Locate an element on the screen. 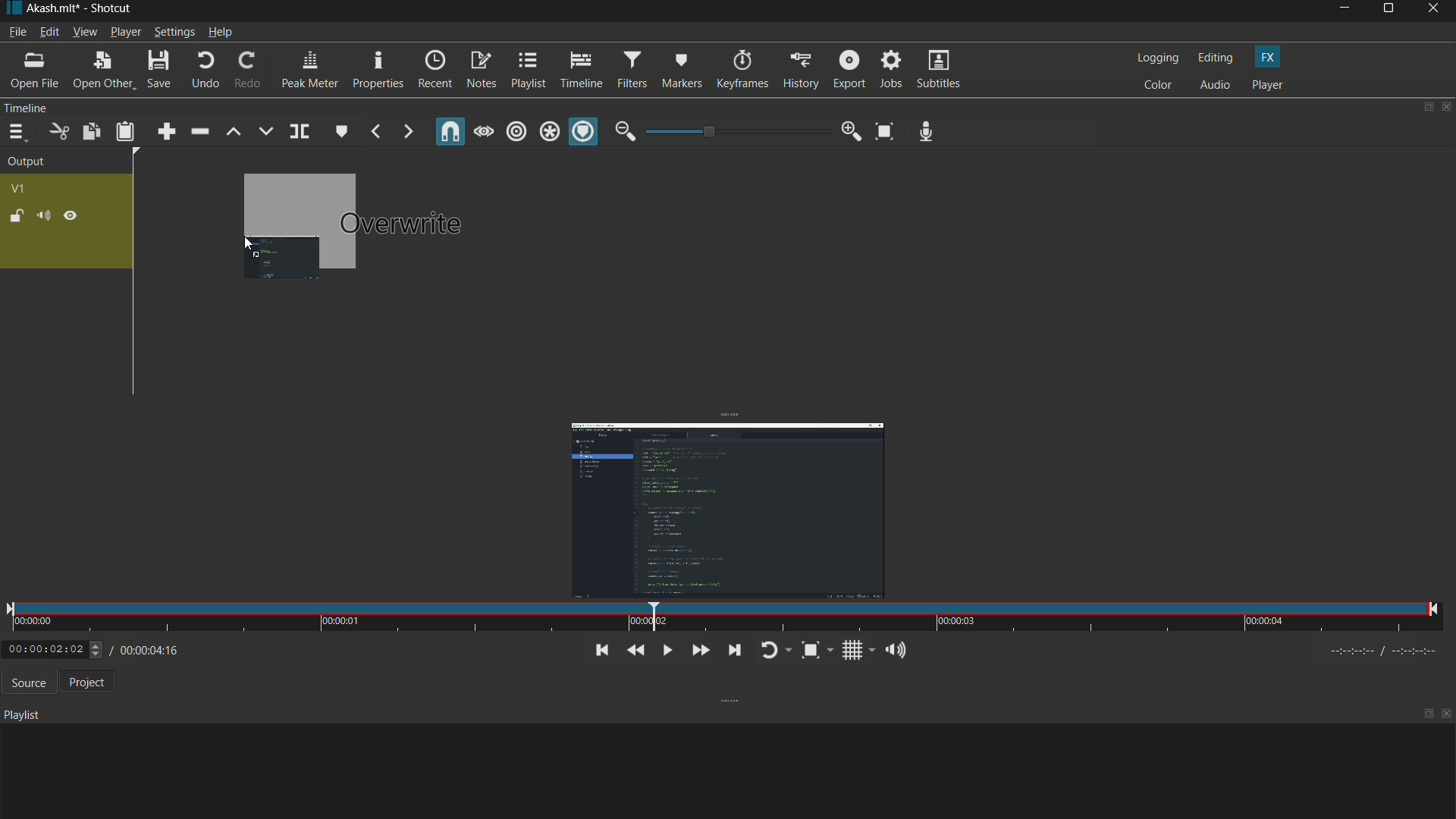  save is located at coordinates (158, 70).